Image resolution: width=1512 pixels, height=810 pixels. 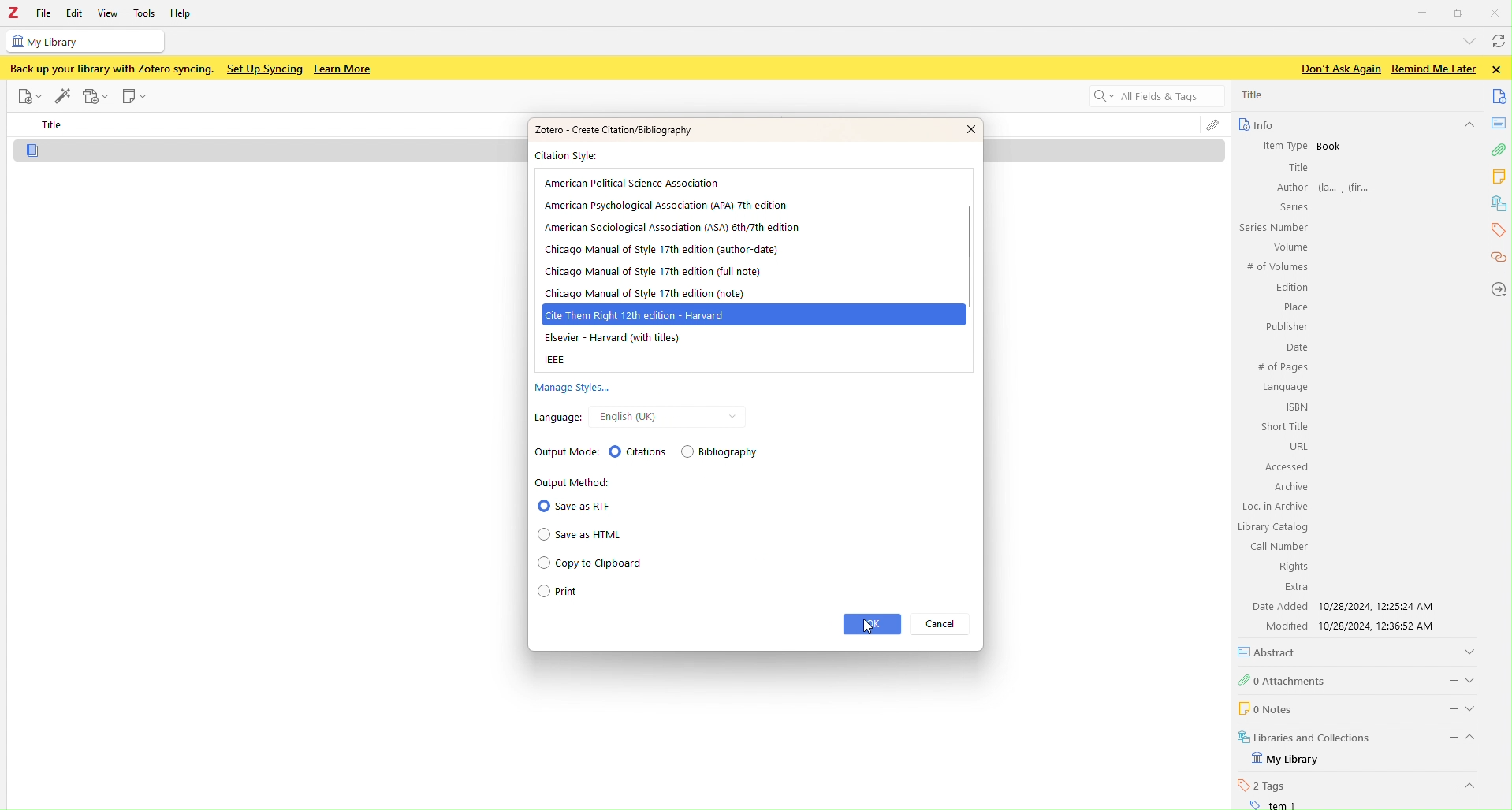 What do you see at coordinates (1469, 650) in the screenshot?
I see `show` at bounding box center [1469, 650].